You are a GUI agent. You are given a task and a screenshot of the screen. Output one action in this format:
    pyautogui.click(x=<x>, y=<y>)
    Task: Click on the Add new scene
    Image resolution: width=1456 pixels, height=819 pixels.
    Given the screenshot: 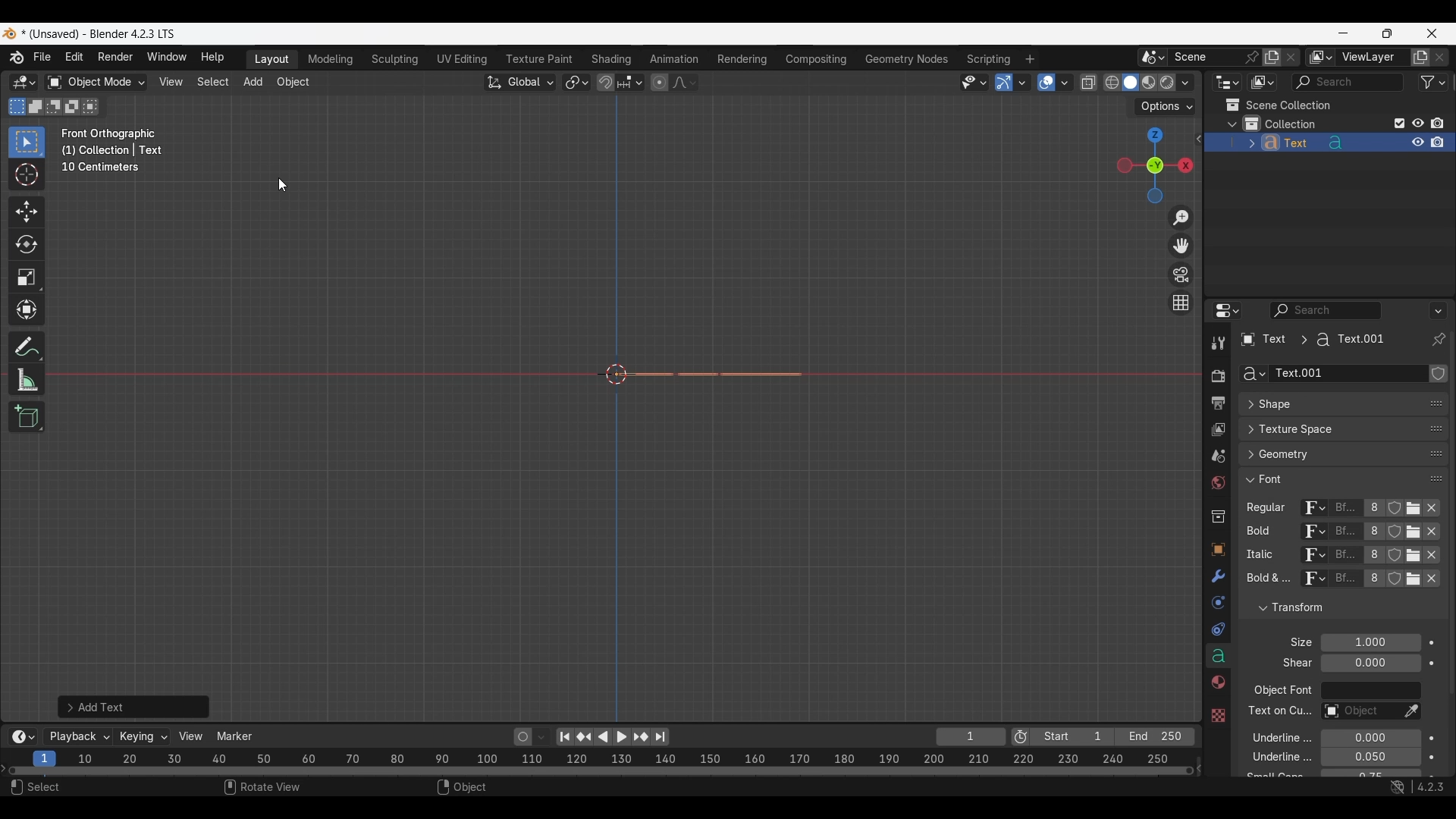 What is the action you would take?
    pyautogui.click(x=1272, y=58)
    